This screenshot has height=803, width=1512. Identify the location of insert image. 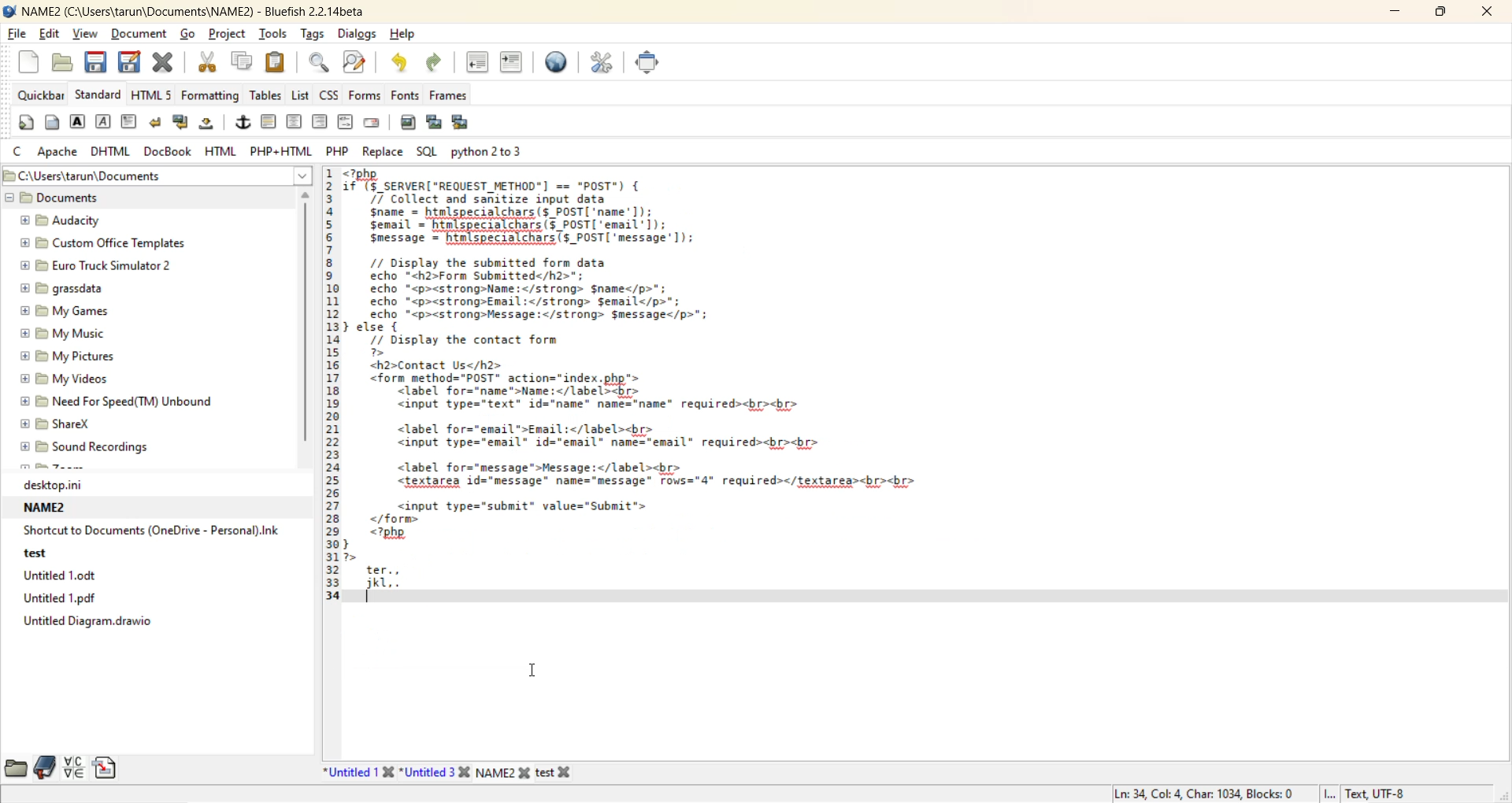
(407, 124).